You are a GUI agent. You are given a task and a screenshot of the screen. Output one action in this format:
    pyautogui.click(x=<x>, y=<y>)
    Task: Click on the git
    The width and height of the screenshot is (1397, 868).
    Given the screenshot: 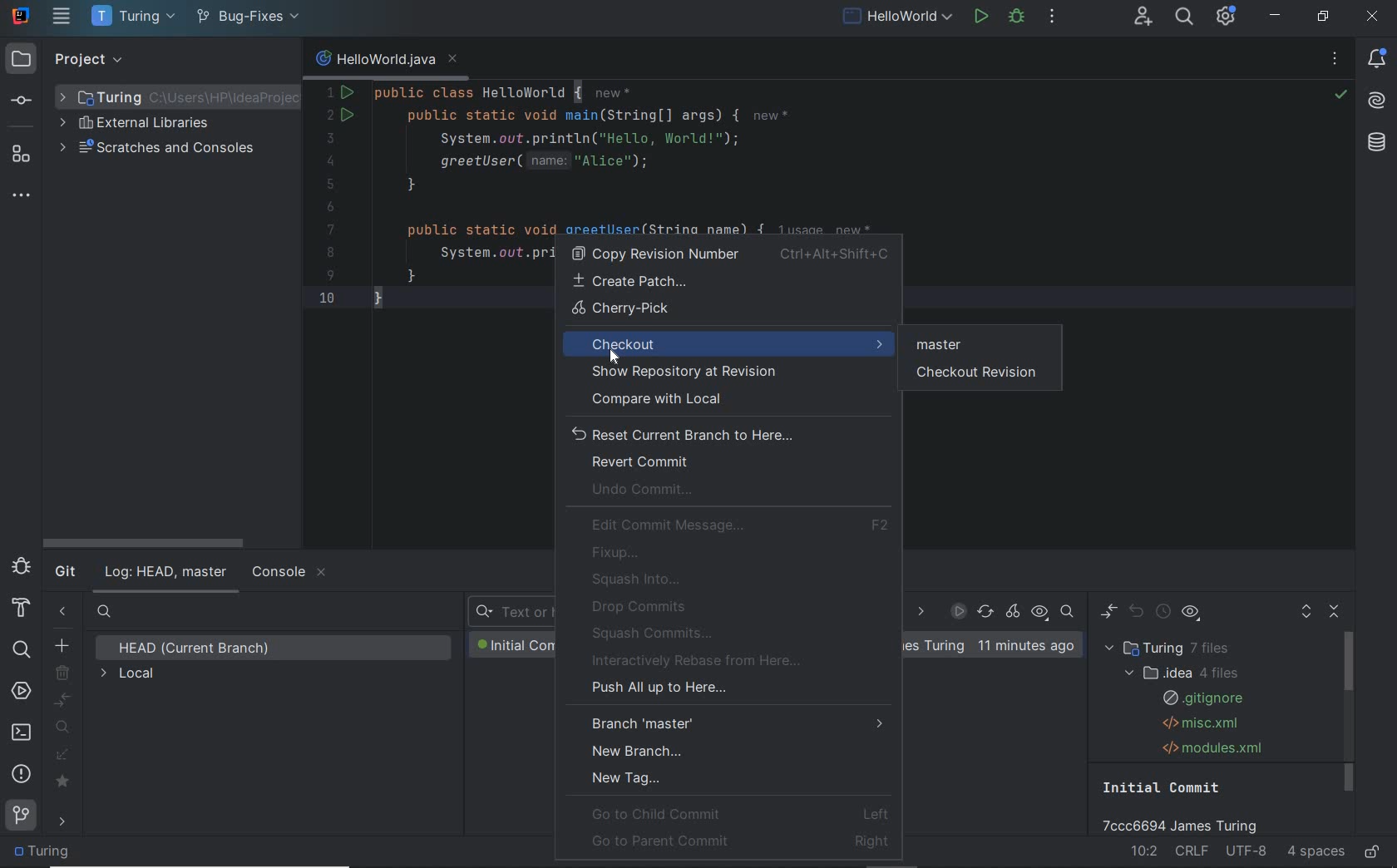 What is the action you would take?
    pyautogui.click(x=65, y=573)
    